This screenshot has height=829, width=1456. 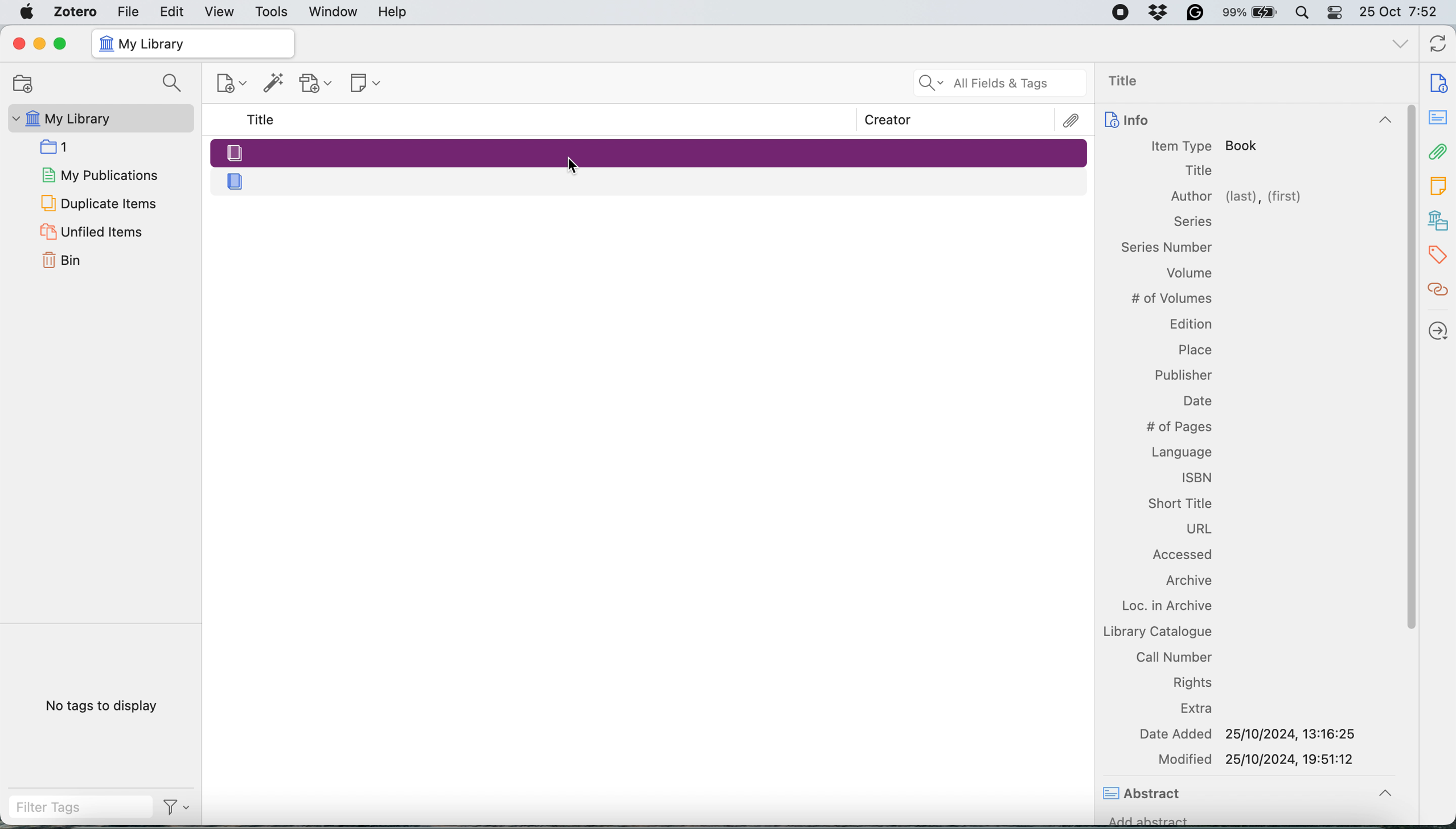 I want to click on My Library, so click(x=99, y=118).